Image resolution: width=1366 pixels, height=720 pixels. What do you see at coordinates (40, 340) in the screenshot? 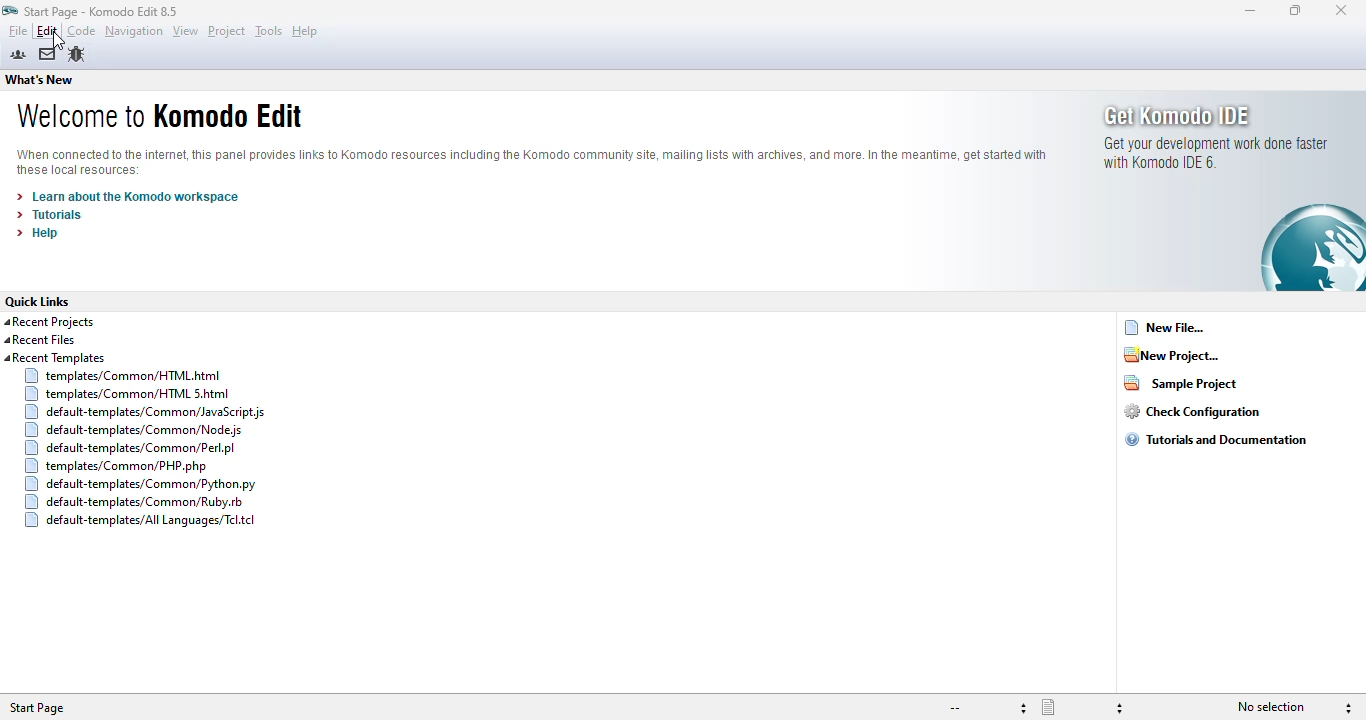
I see `recent files` at bounding box center [40, 340].